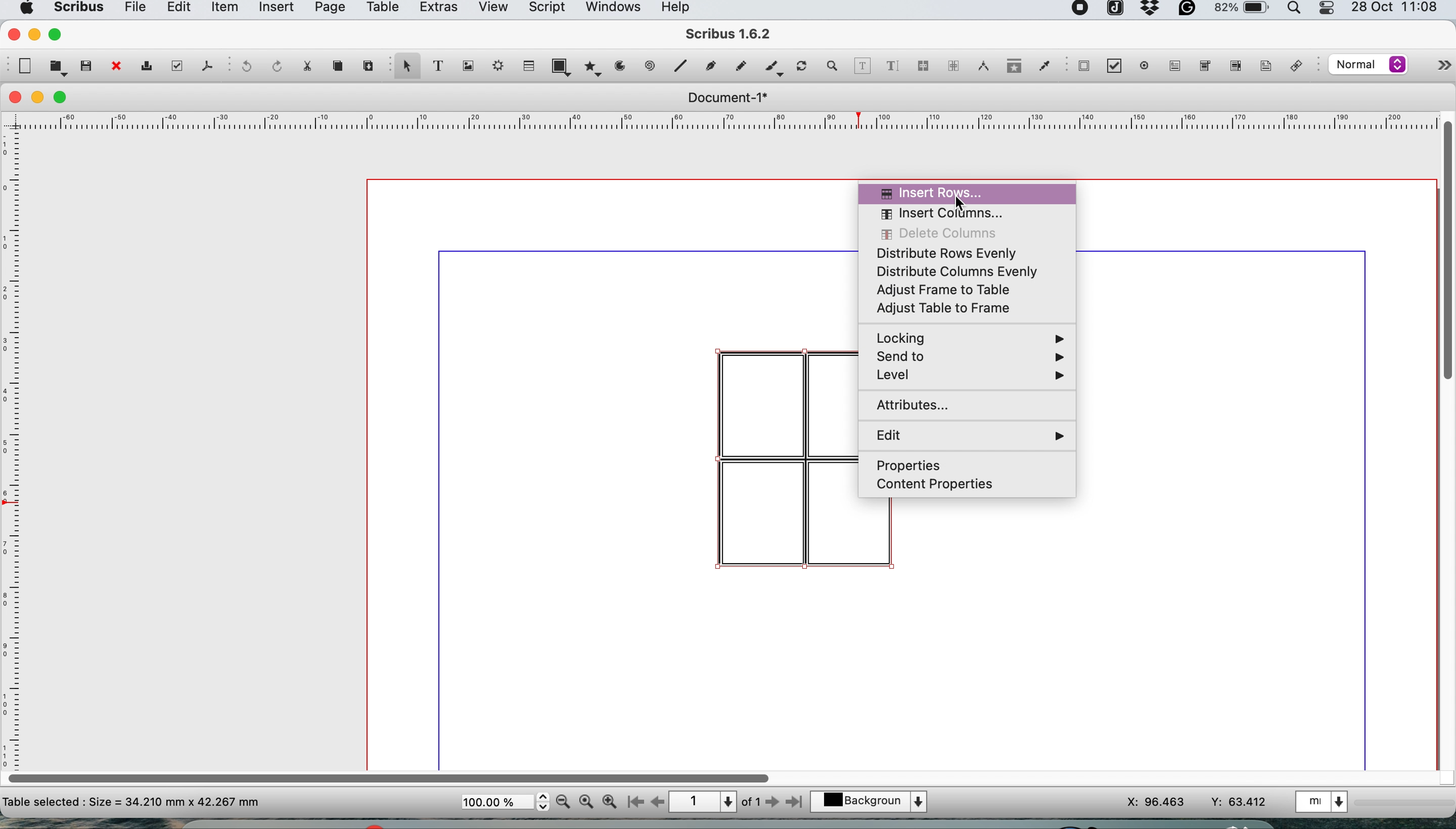 The image size is (1456, 829). Describe the element at coordinates (1044, 68) in the screenshot. I see `eyedropper` at that location.